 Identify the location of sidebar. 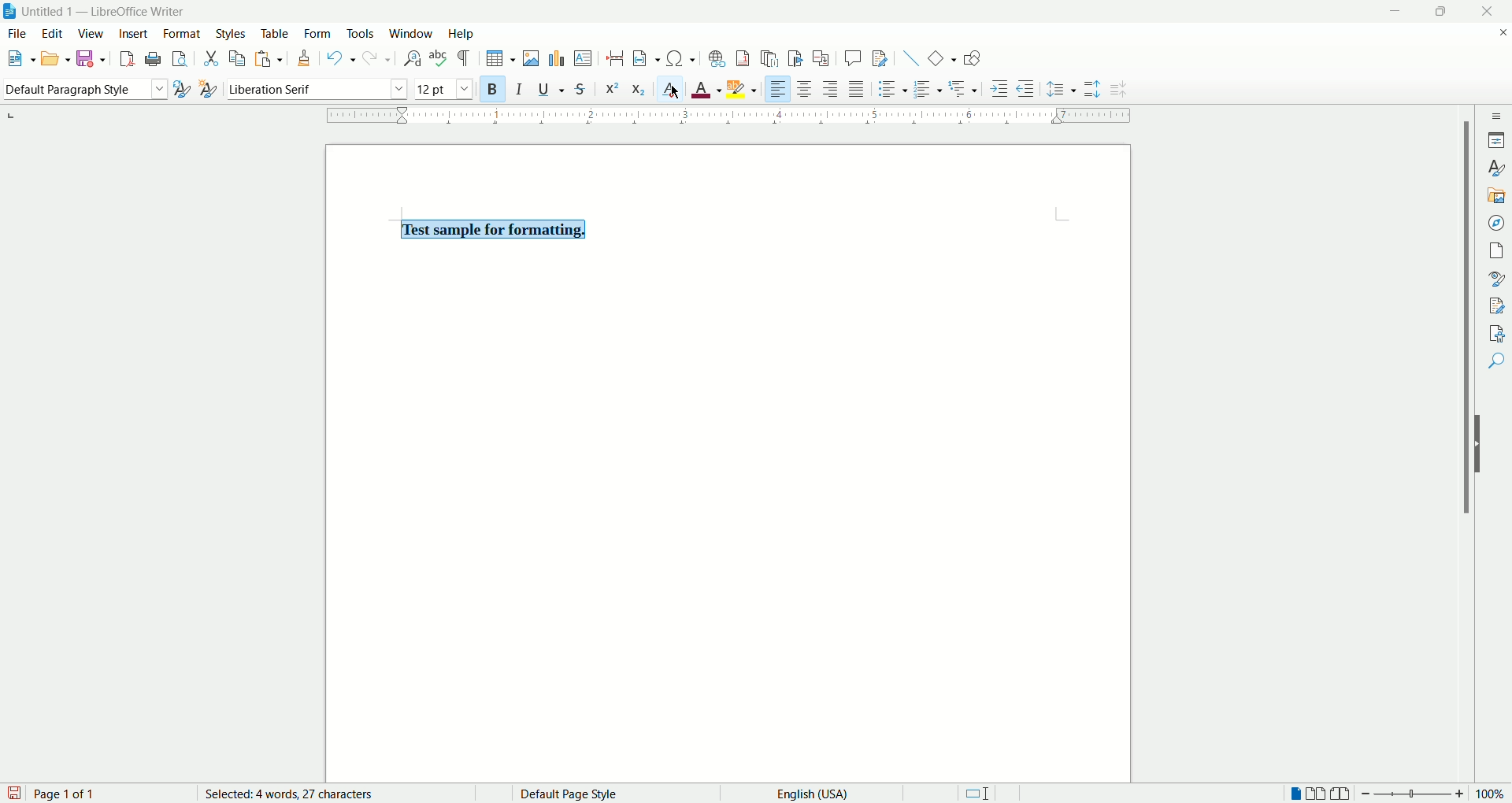
(1497, 115).